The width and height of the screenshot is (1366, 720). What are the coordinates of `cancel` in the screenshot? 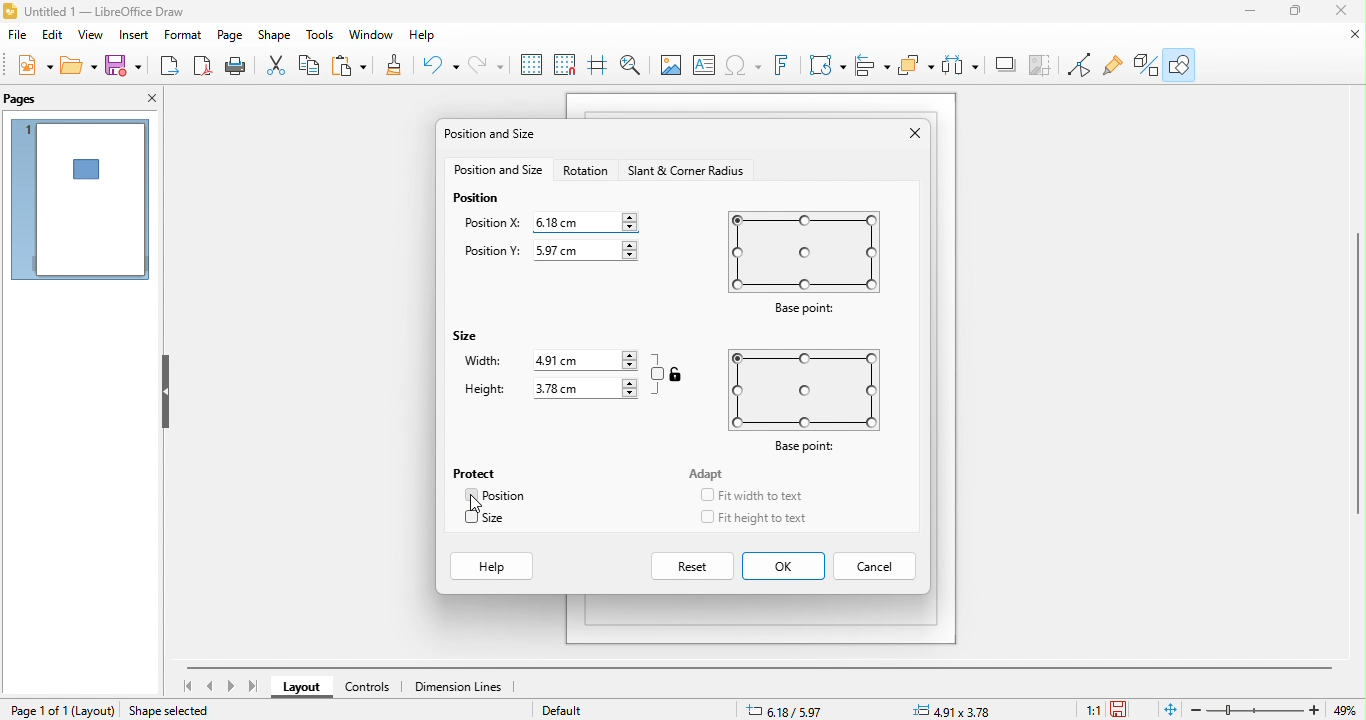 It's located at (878, 565).